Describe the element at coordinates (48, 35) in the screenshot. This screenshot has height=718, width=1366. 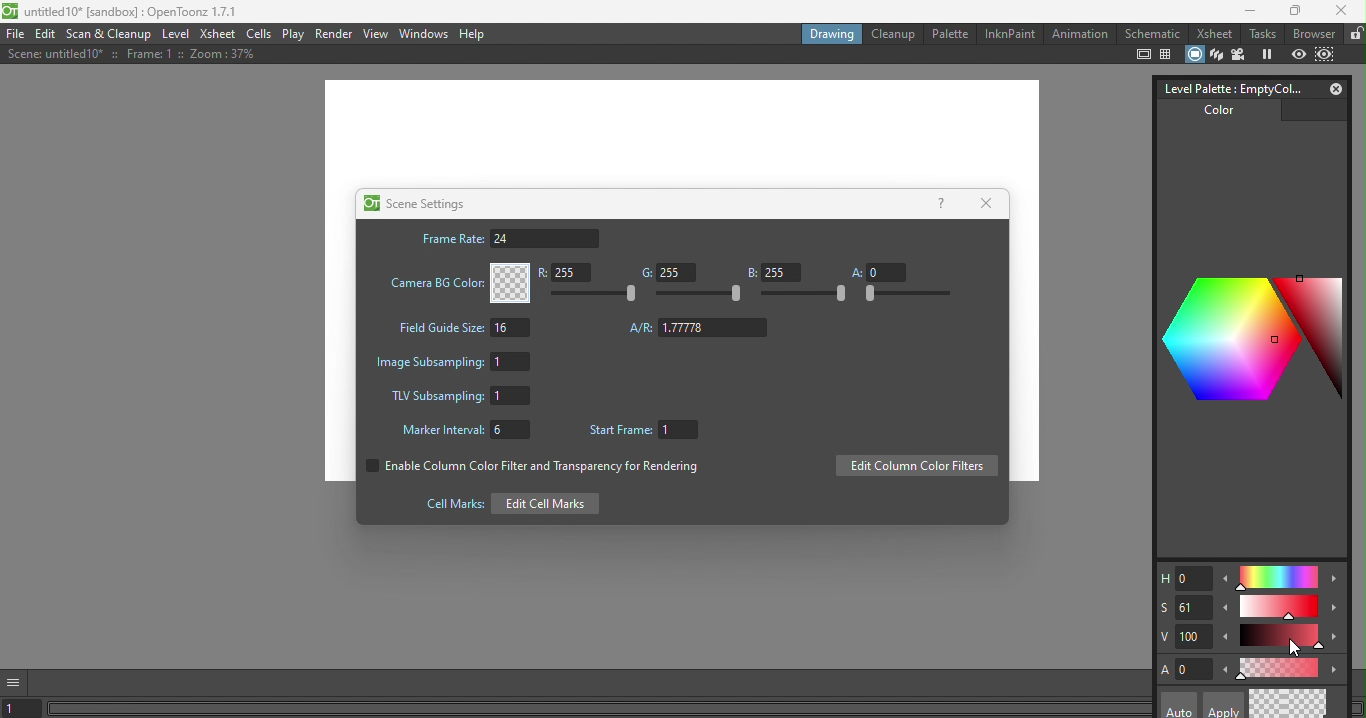
I see `Edit` at that location.